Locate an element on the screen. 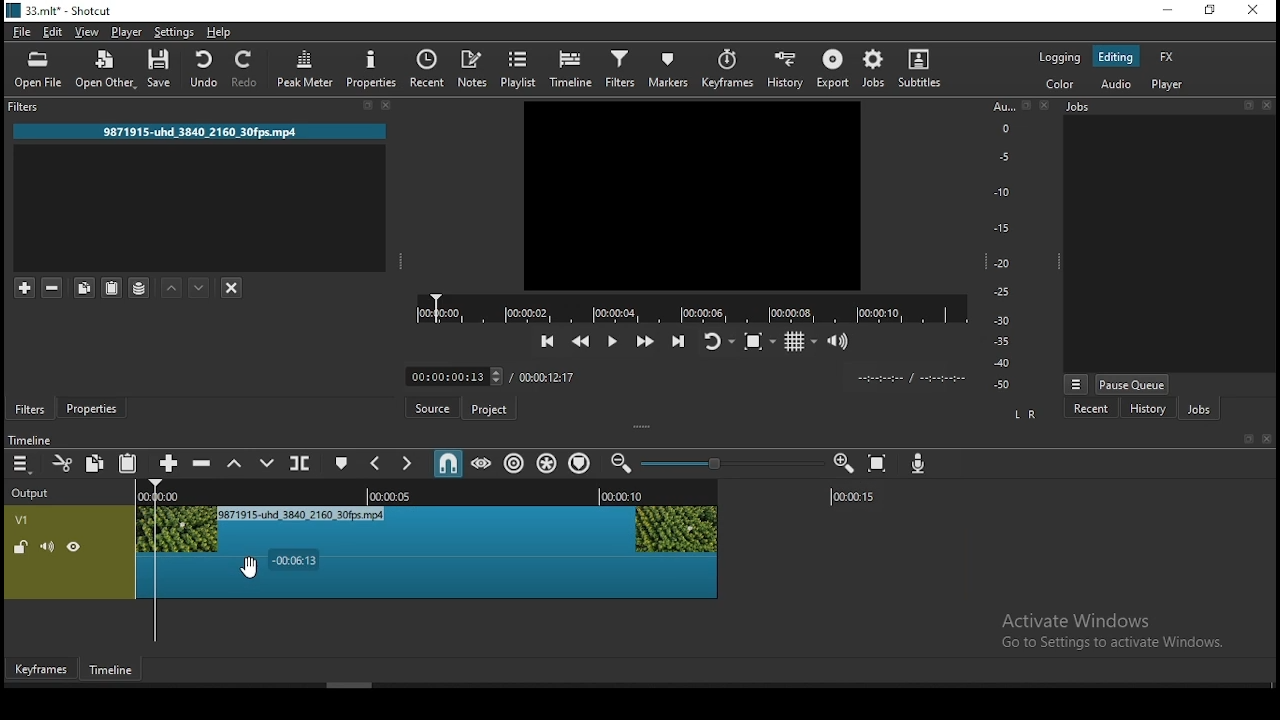 The width and height of the screenshot is (1280, 720). 00:00:00:13 3] / 00:00:19:00 is located at coordinates (487, 375).